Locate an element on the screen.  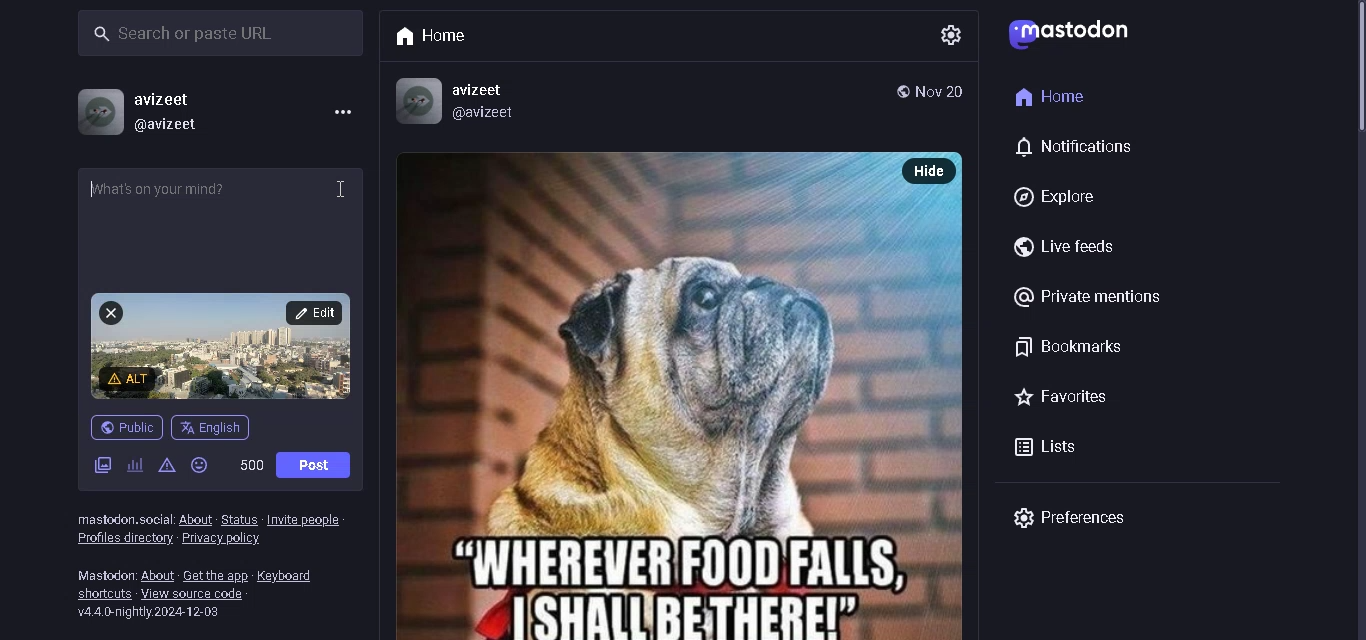
word limit is located at coordinates (248, 469).